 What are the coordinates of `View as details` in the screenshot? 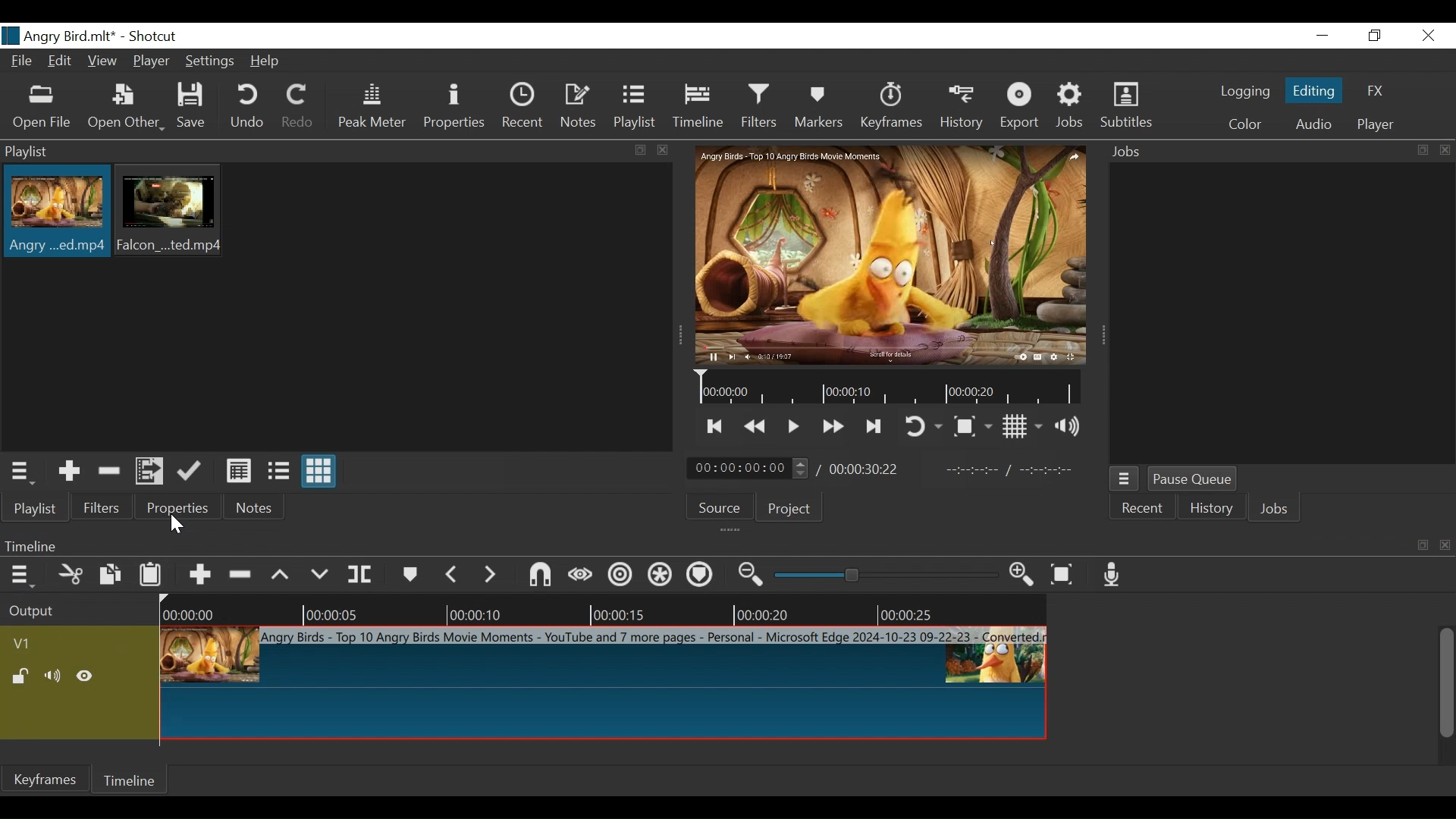 It's located at (240, 472).